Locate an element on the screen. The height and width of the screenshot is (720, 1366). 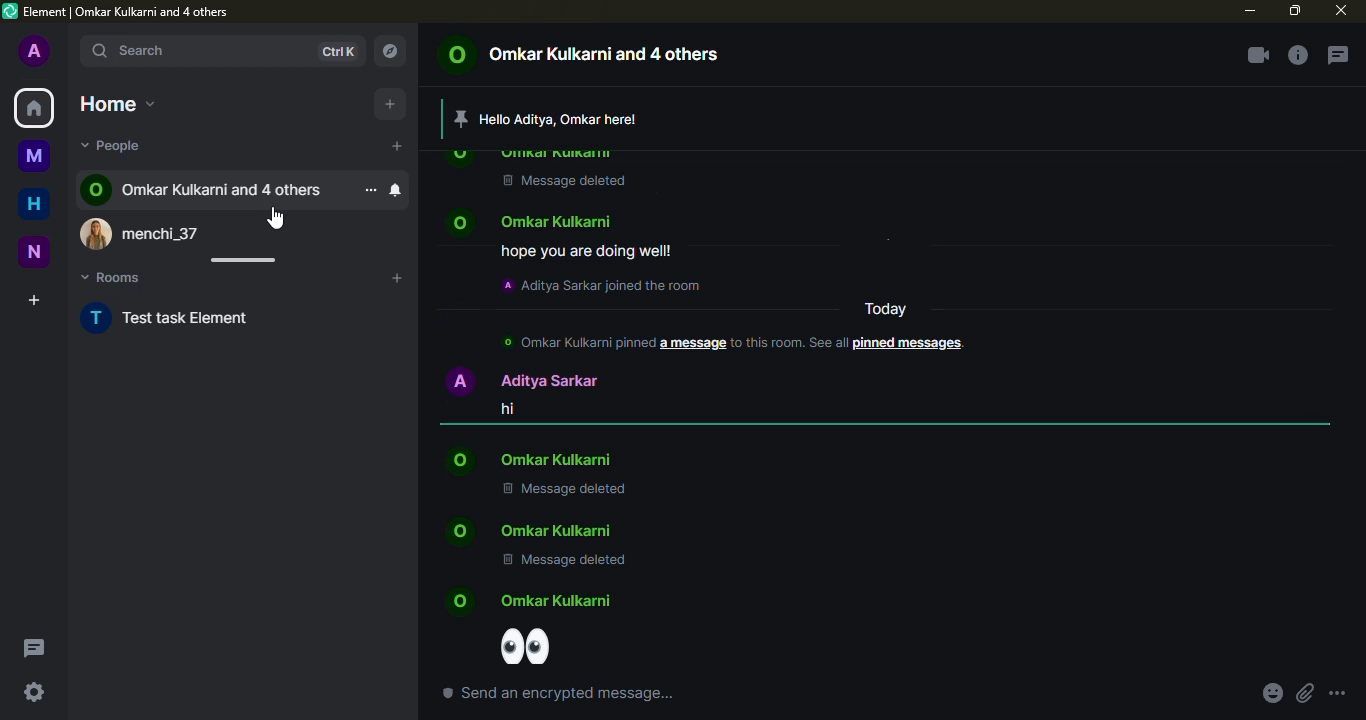
omkar kulkarni and 4 others is located at coordinates (582, 52).